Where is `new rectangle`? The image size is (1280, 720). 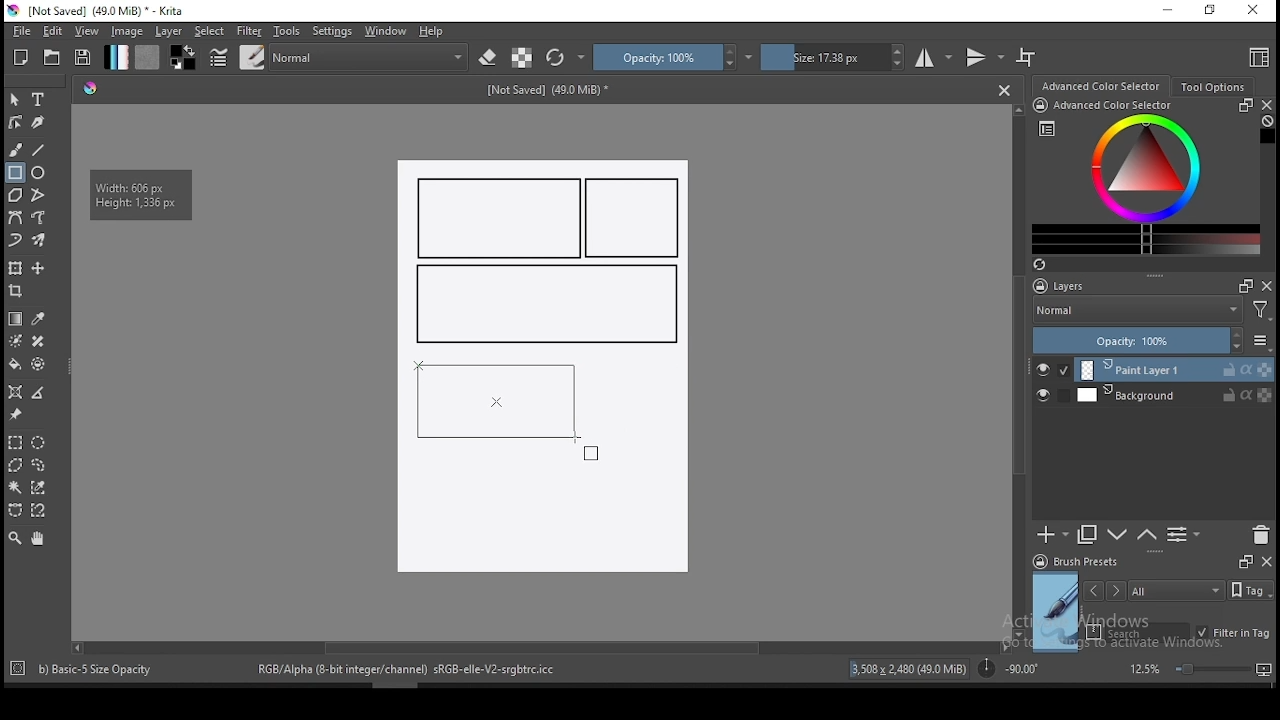 new rectangle is located at coordinates (500, 218).